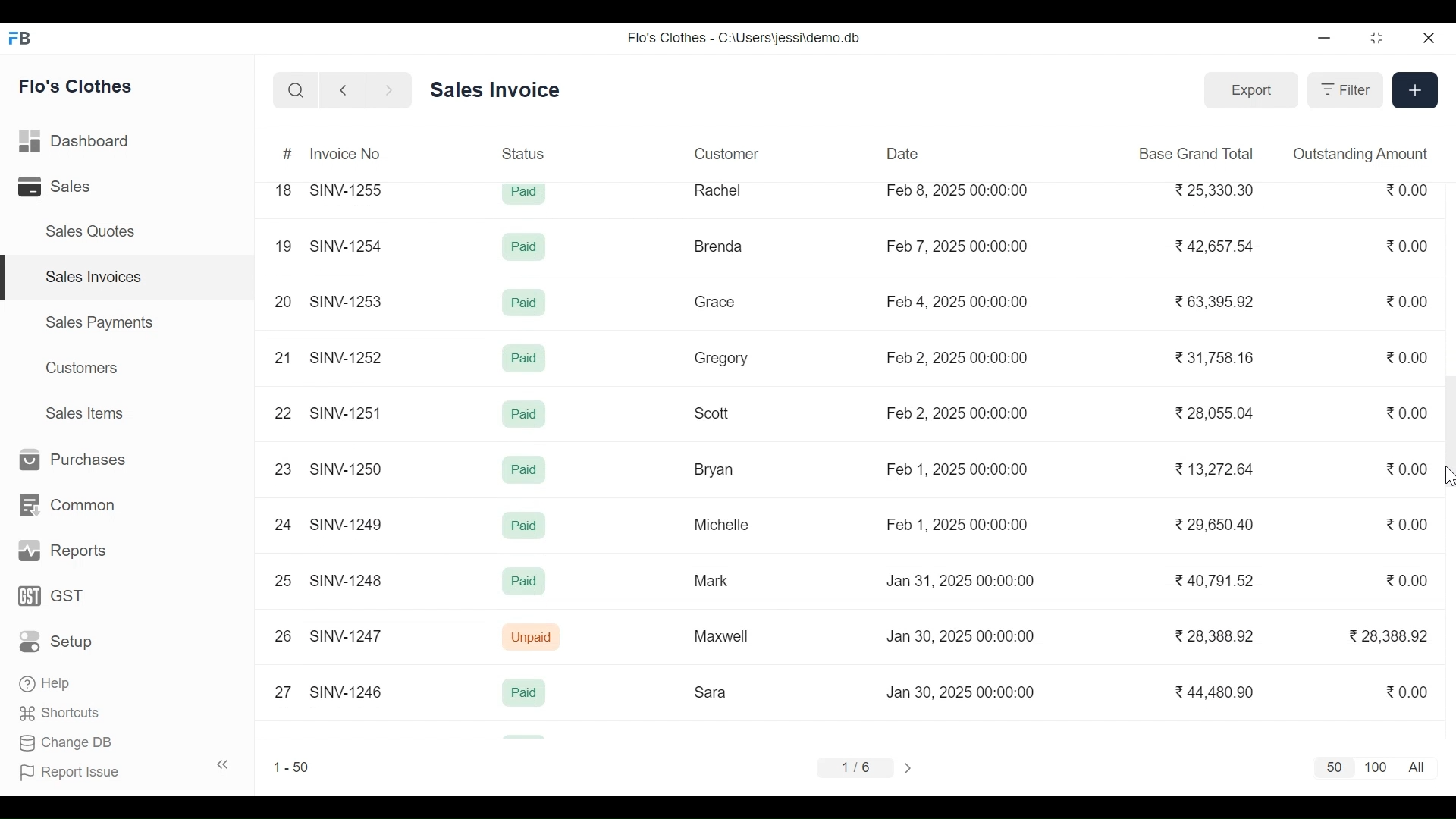  What do you see at coordinates (129, 278) in the screenshot?
I see `Sales Invoices` at bounding box center [129, 278].